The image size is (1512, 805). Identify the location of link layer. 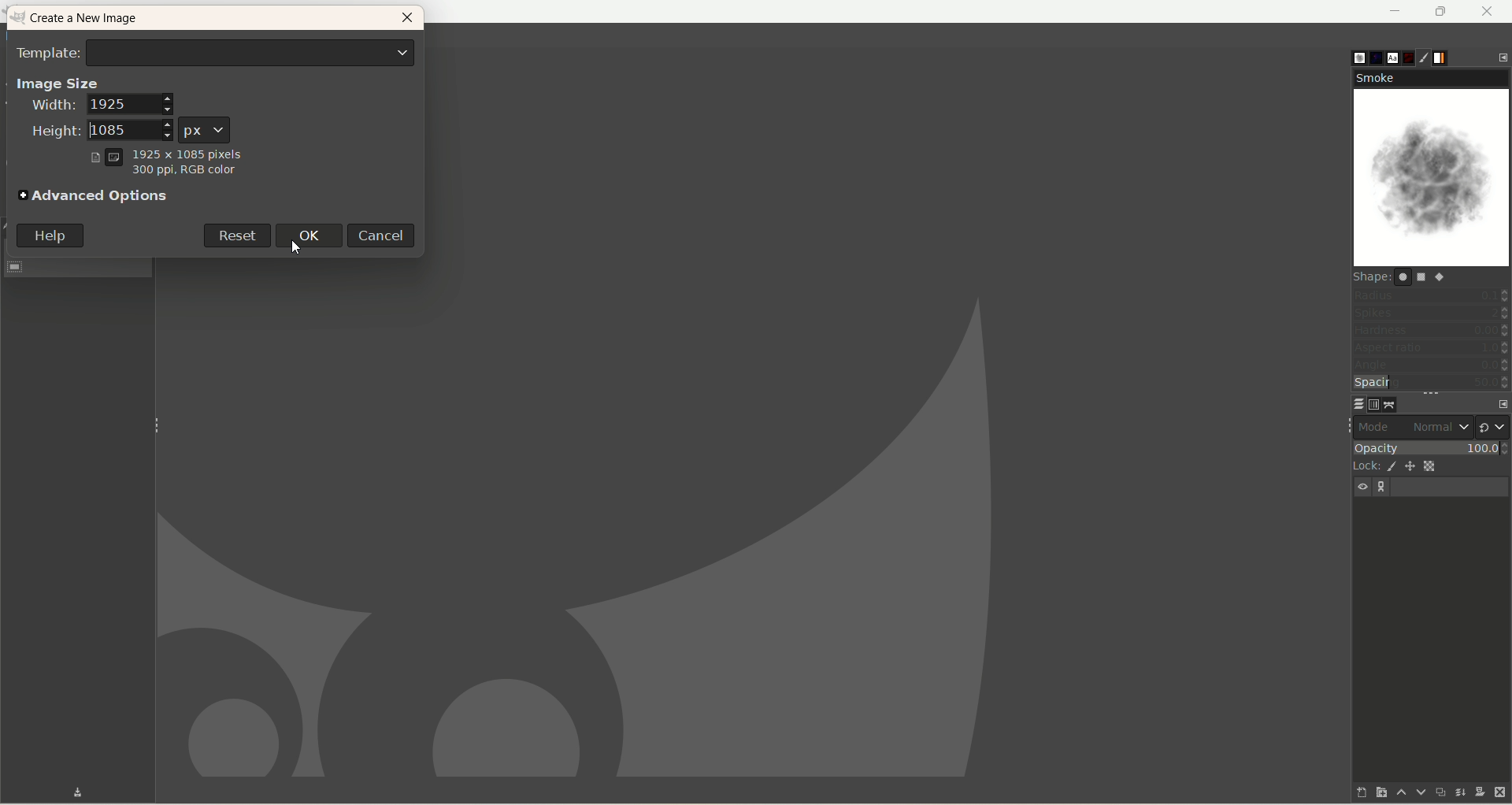
(1383, 488).